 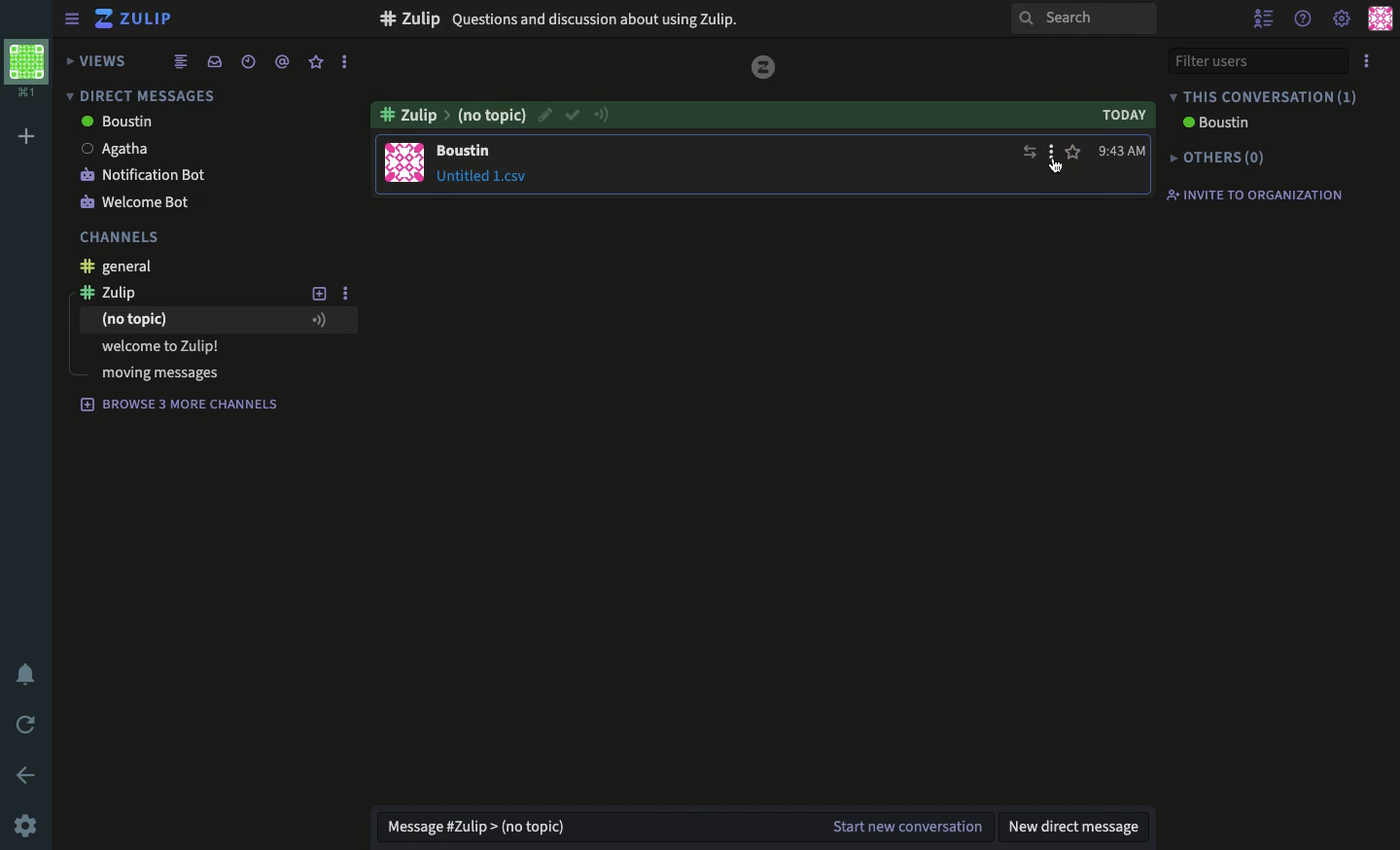 What do you see at coordinates (71, 18) in the screenshot?
I see `sidebar` at bounding box center [71, 18].